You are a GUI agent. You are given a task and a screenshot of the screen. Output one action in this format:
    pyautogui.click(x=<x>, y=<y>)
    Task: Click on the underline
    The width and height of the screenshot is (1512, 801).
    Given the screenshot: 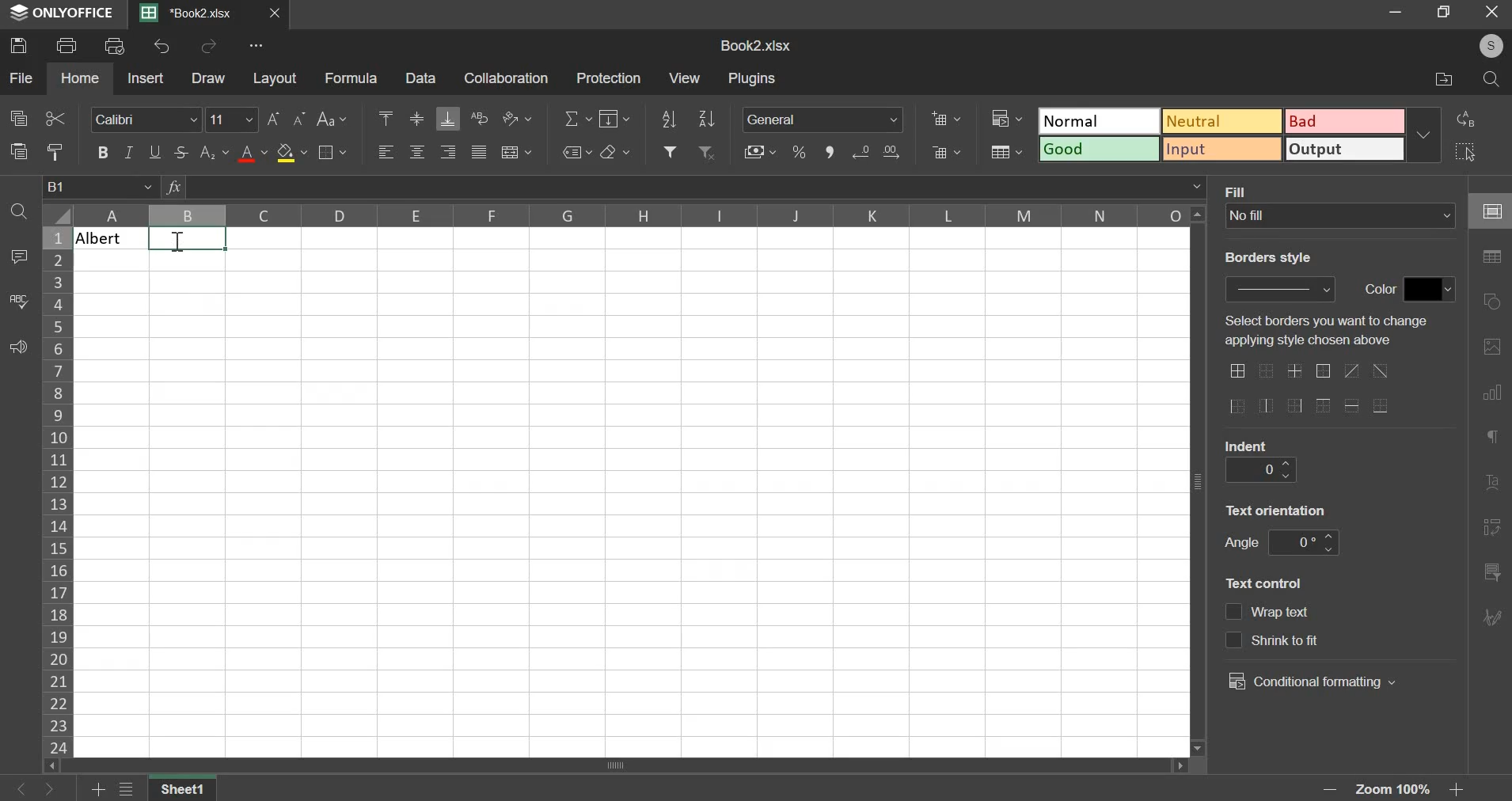 What is the action you would take?
    pyautogui.click(x=155, y=150)
    